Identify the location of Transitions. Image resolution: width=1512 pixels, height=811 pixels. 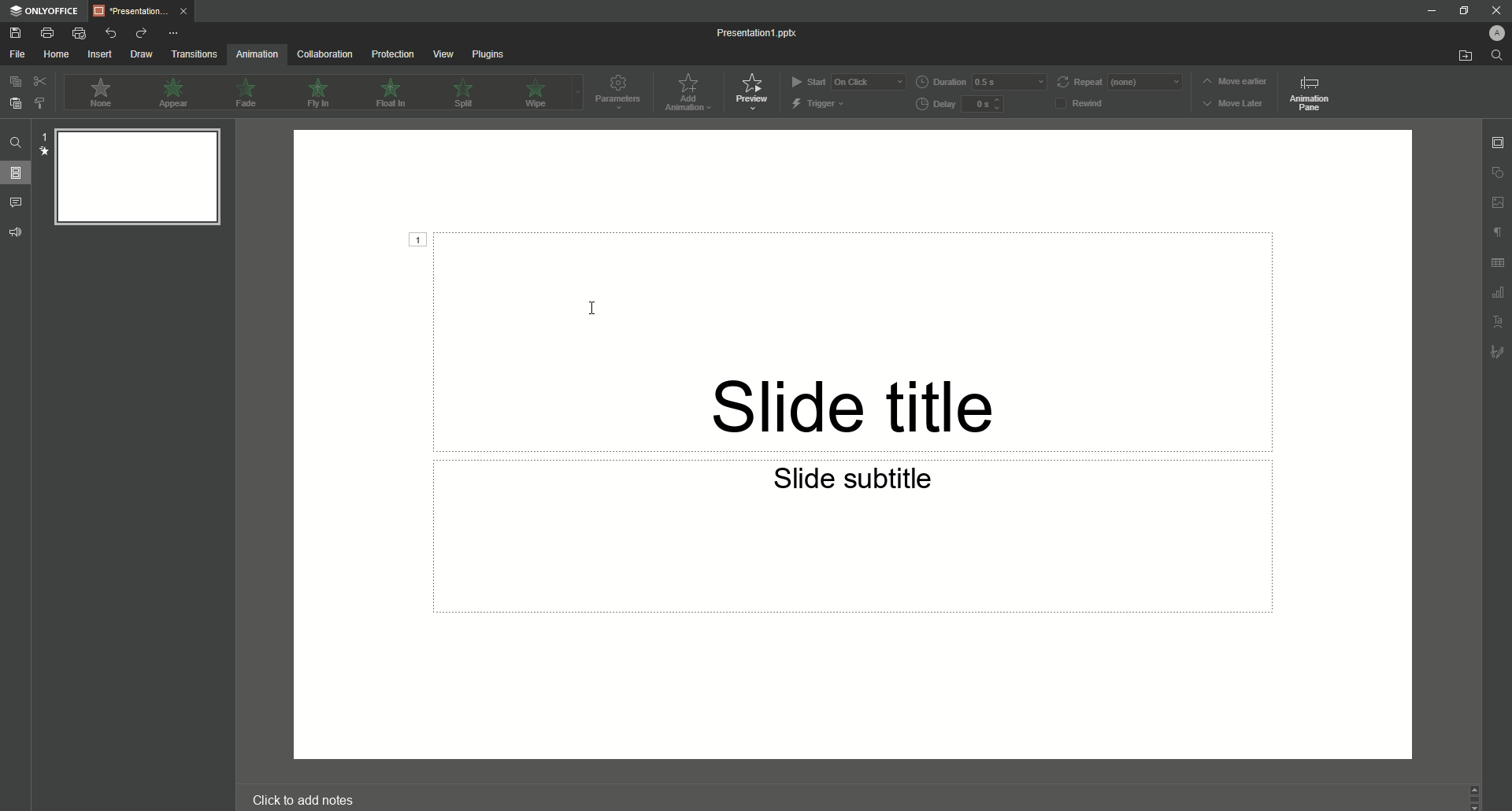
(195, 54).